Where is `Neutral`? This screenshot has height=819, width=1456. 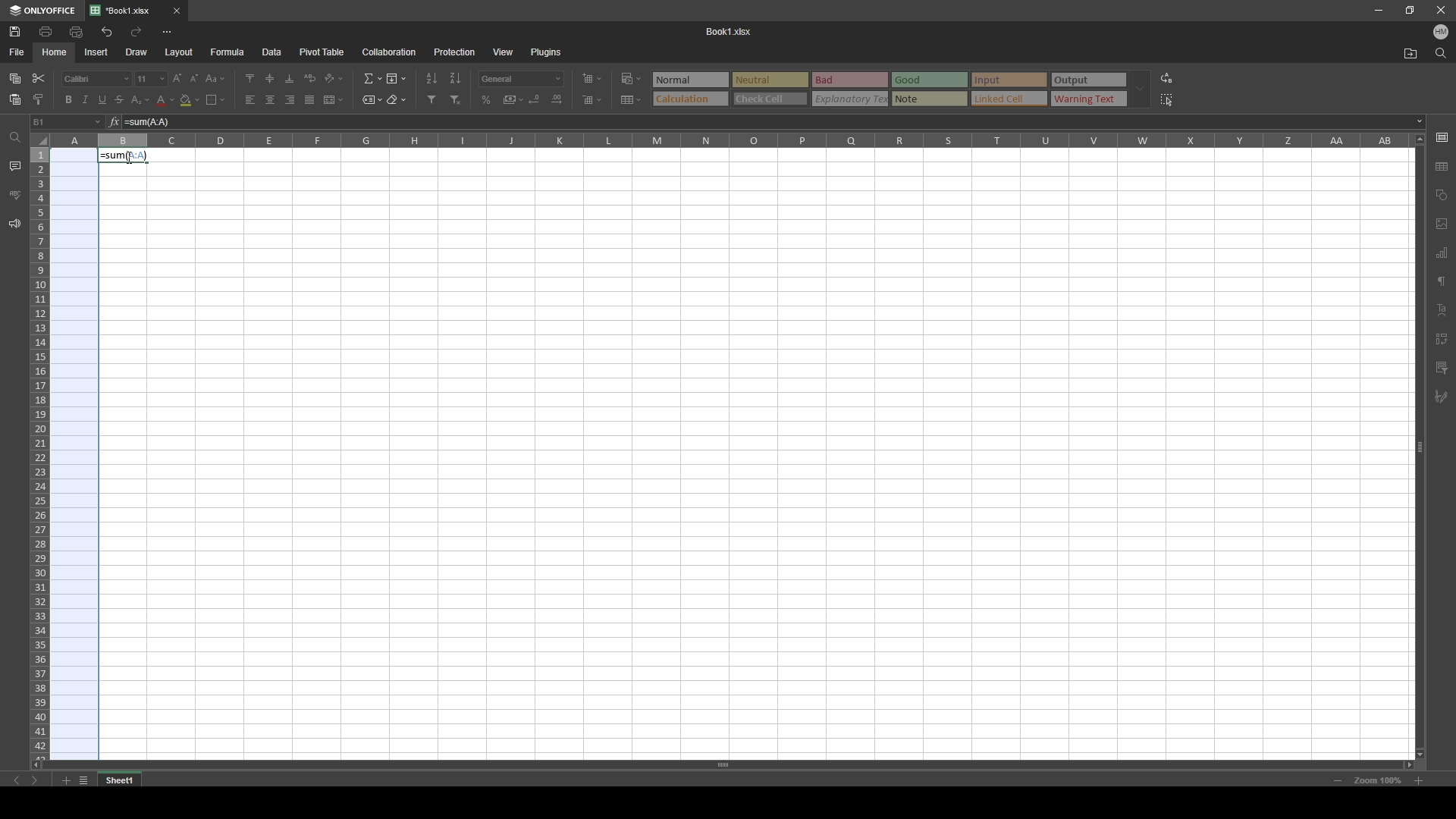
Neutral is located at coordinates (689, 79).